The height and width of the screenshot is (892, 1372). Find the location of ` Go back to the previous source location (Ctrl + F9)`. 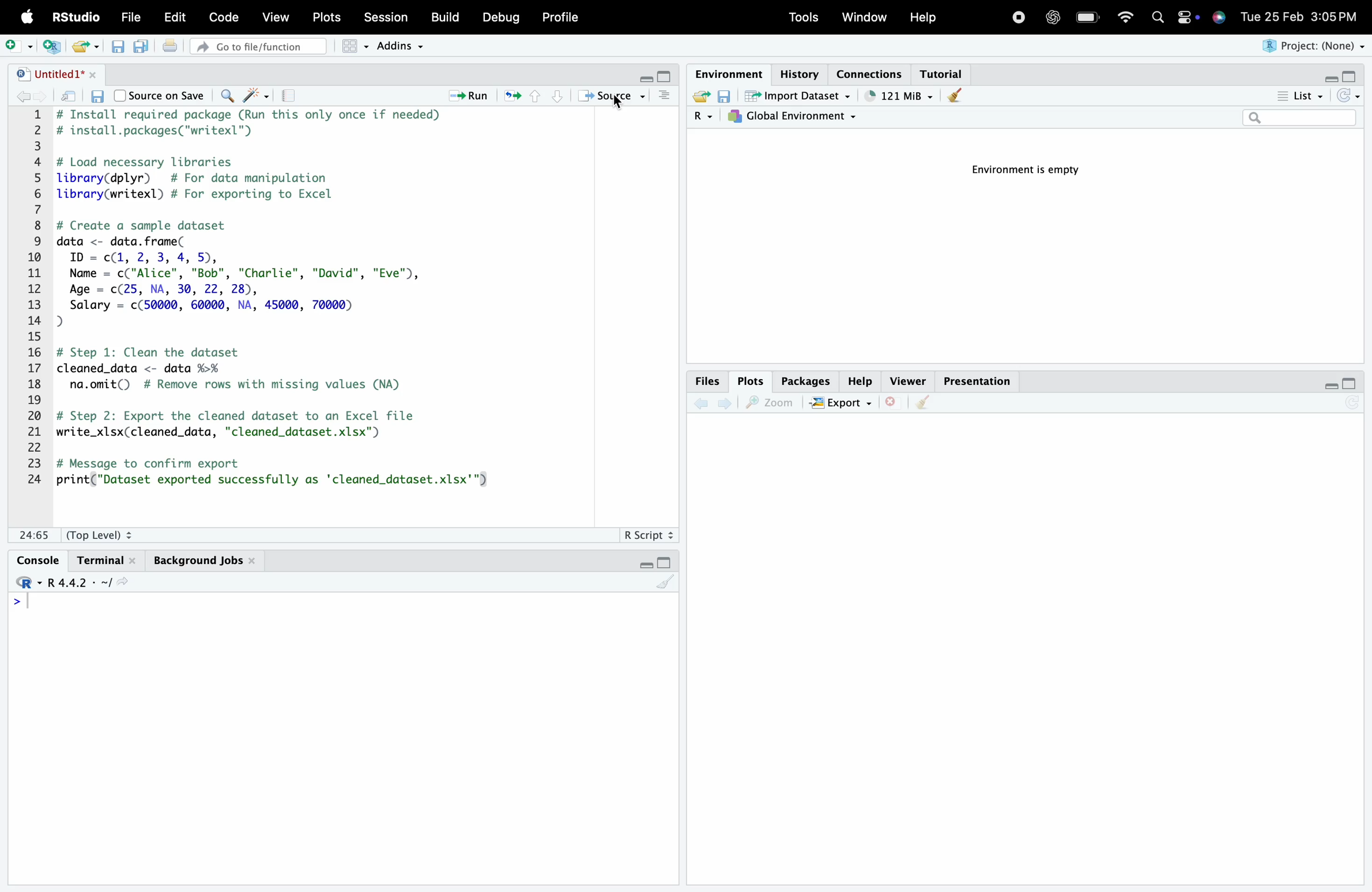

 Go back to the previous source location (Ctrl + F9) is located at coordinates (700, 403).